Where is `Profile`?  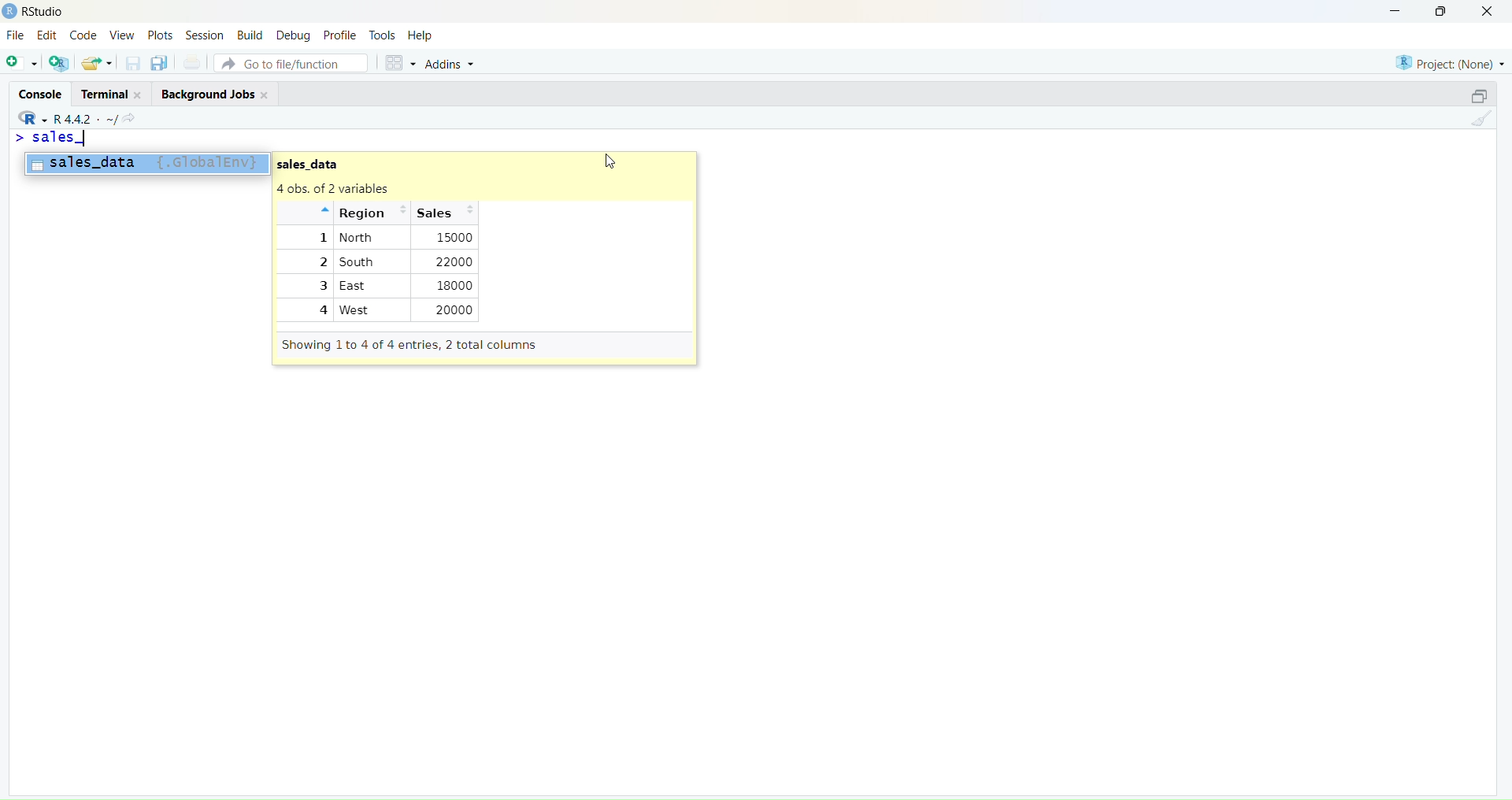 Profile is located at coordinates (340, 36).